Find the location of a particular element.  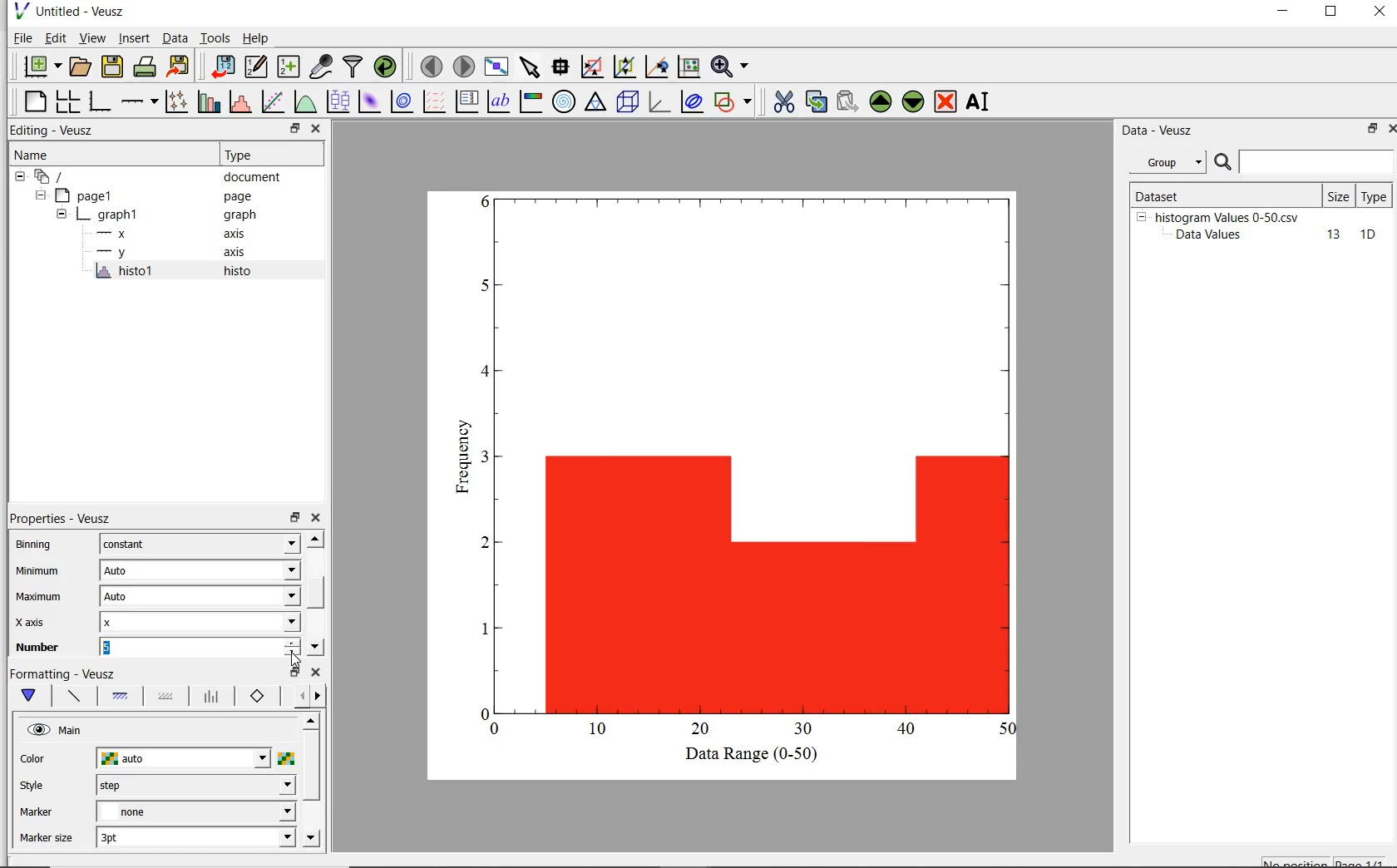

fill under is located at coordinates (121, 696).